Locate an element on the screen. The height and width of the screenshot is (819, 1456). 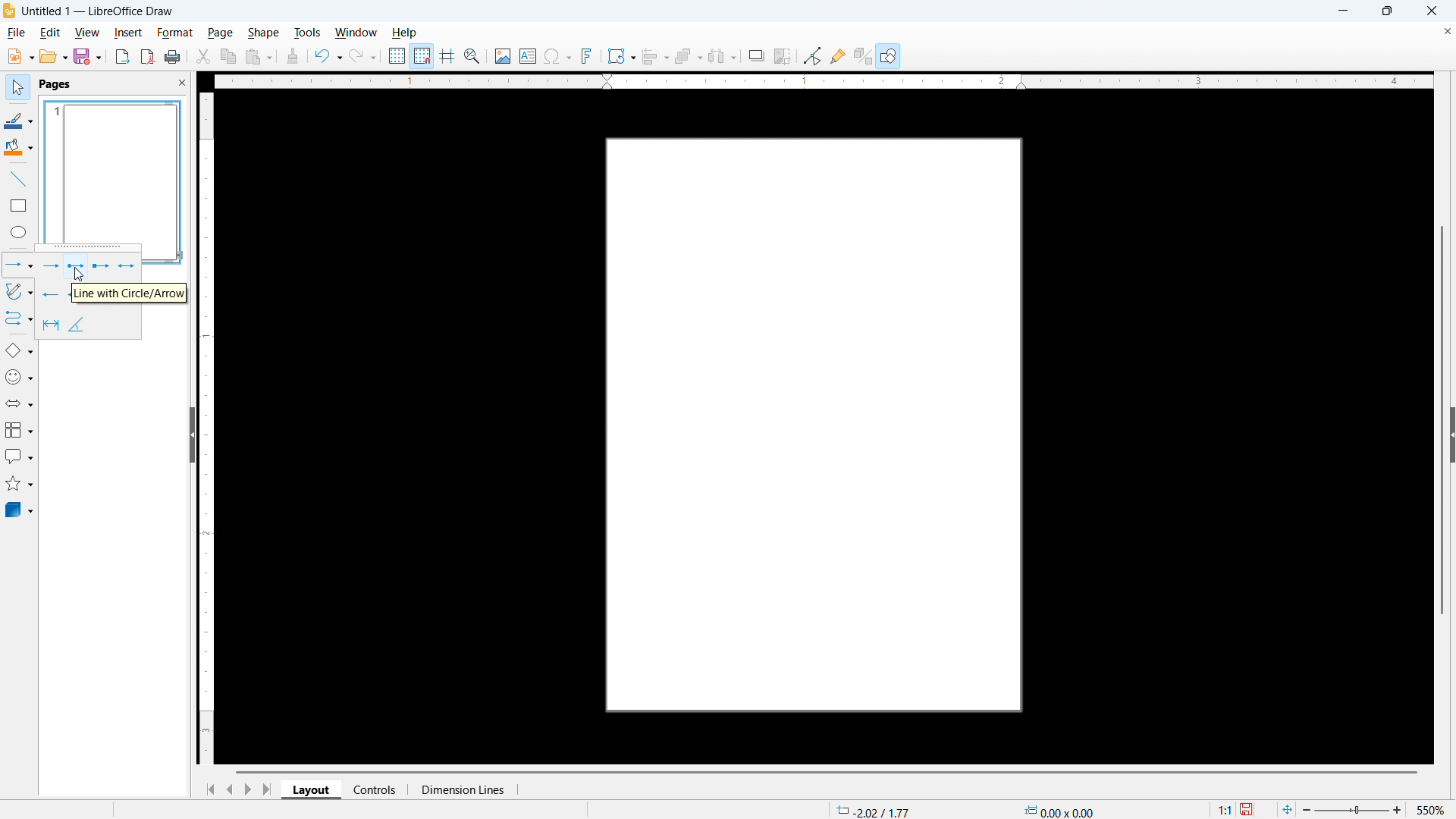
Shadow  is located at coordinates (756, 55).